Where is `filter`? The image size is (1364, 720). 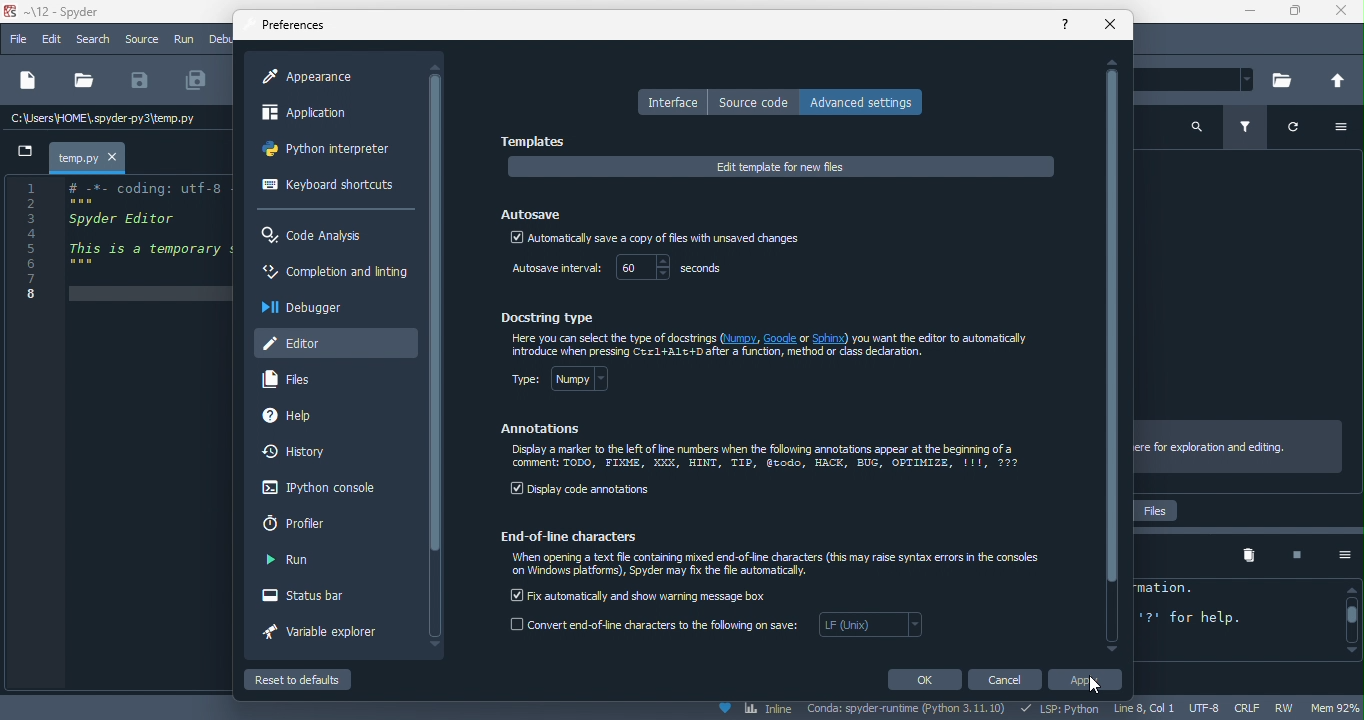 filter is located at coordinates (1249, 129).